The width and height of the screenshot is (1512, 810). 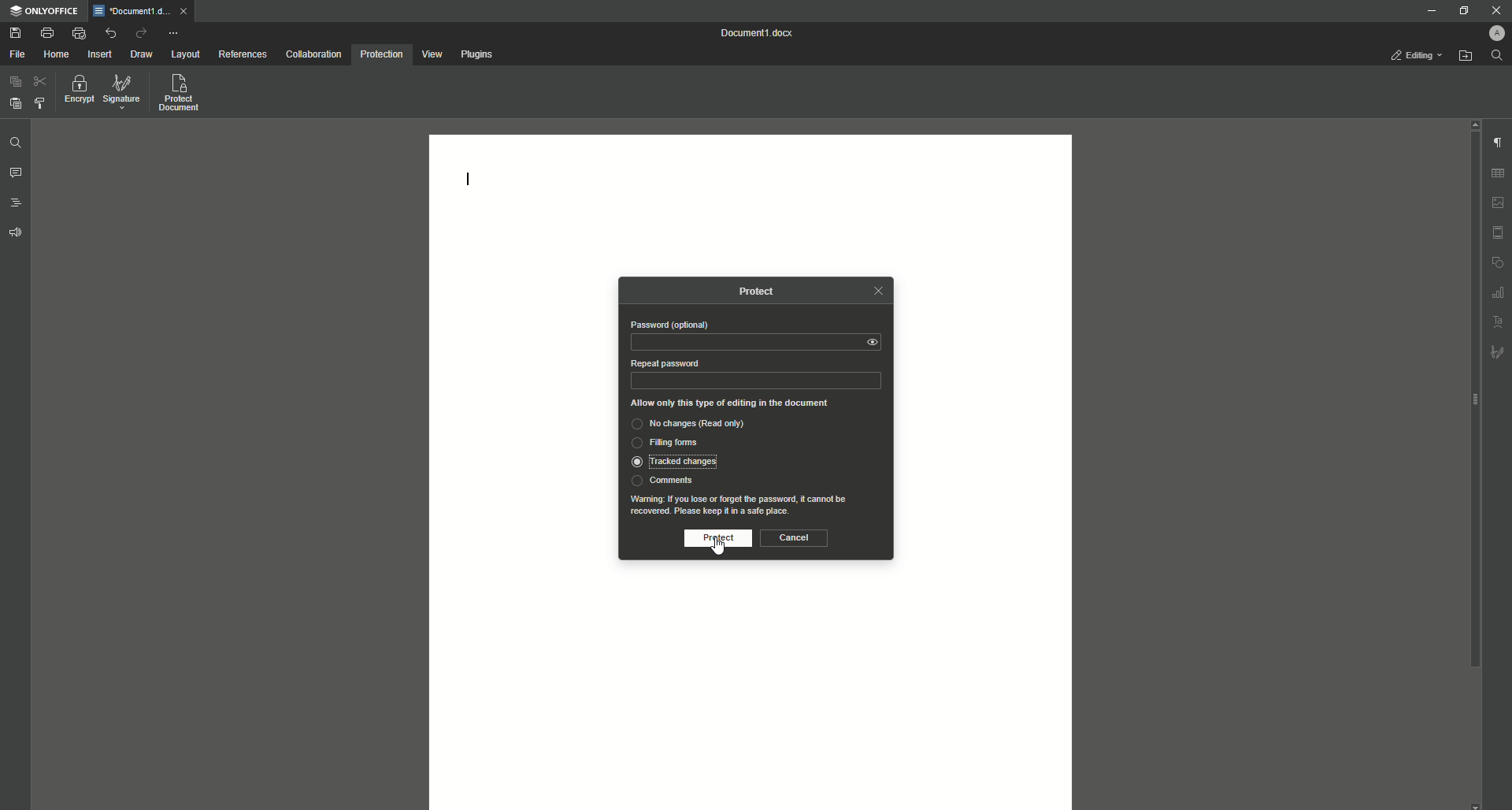 What do you see at coordinates (17, 54) in the screenshot?
I see `File` at bounding box center [17, 54].